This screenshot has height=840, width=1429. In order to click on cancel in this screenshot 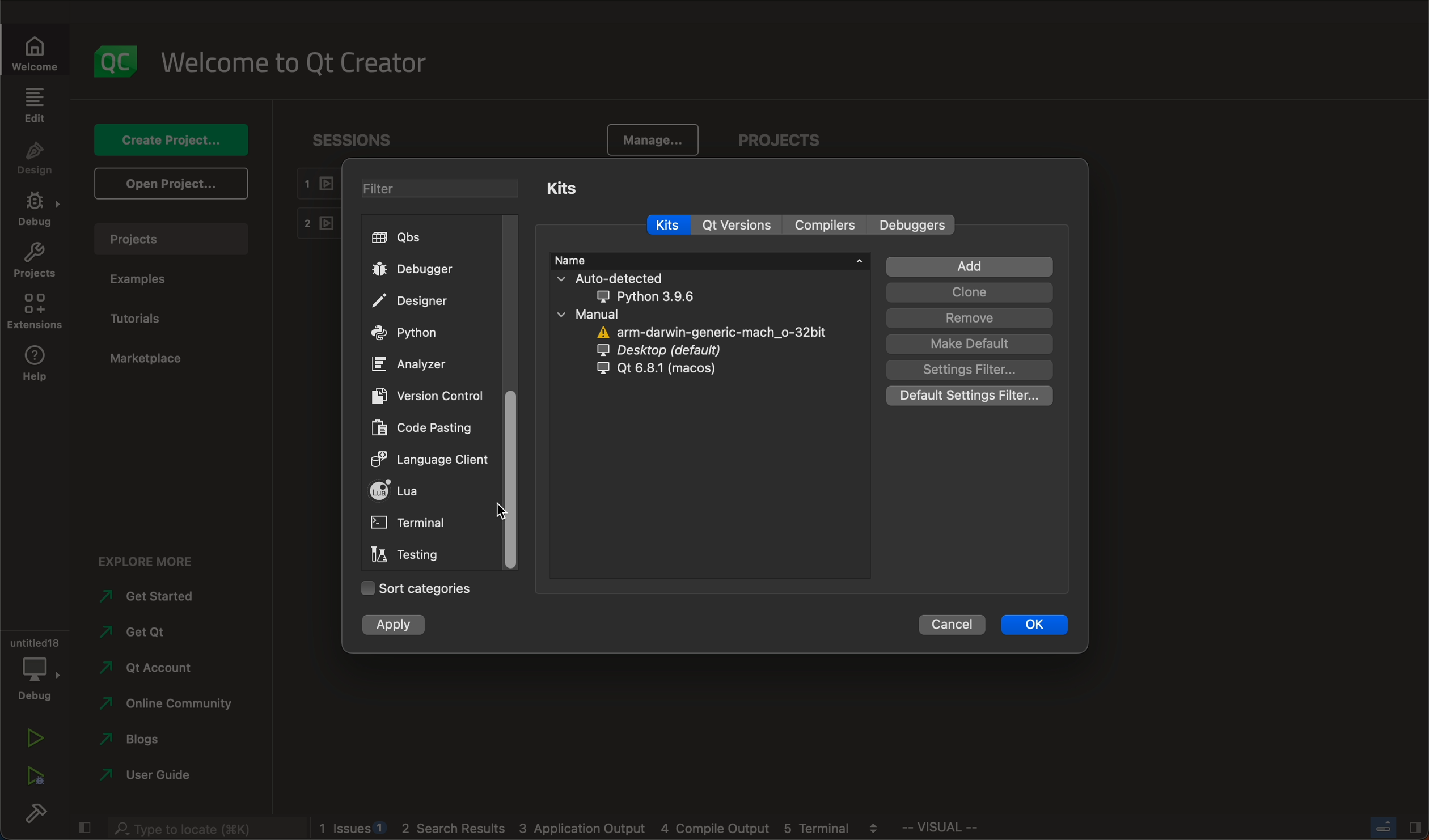, I will do `click(950, 623)`.